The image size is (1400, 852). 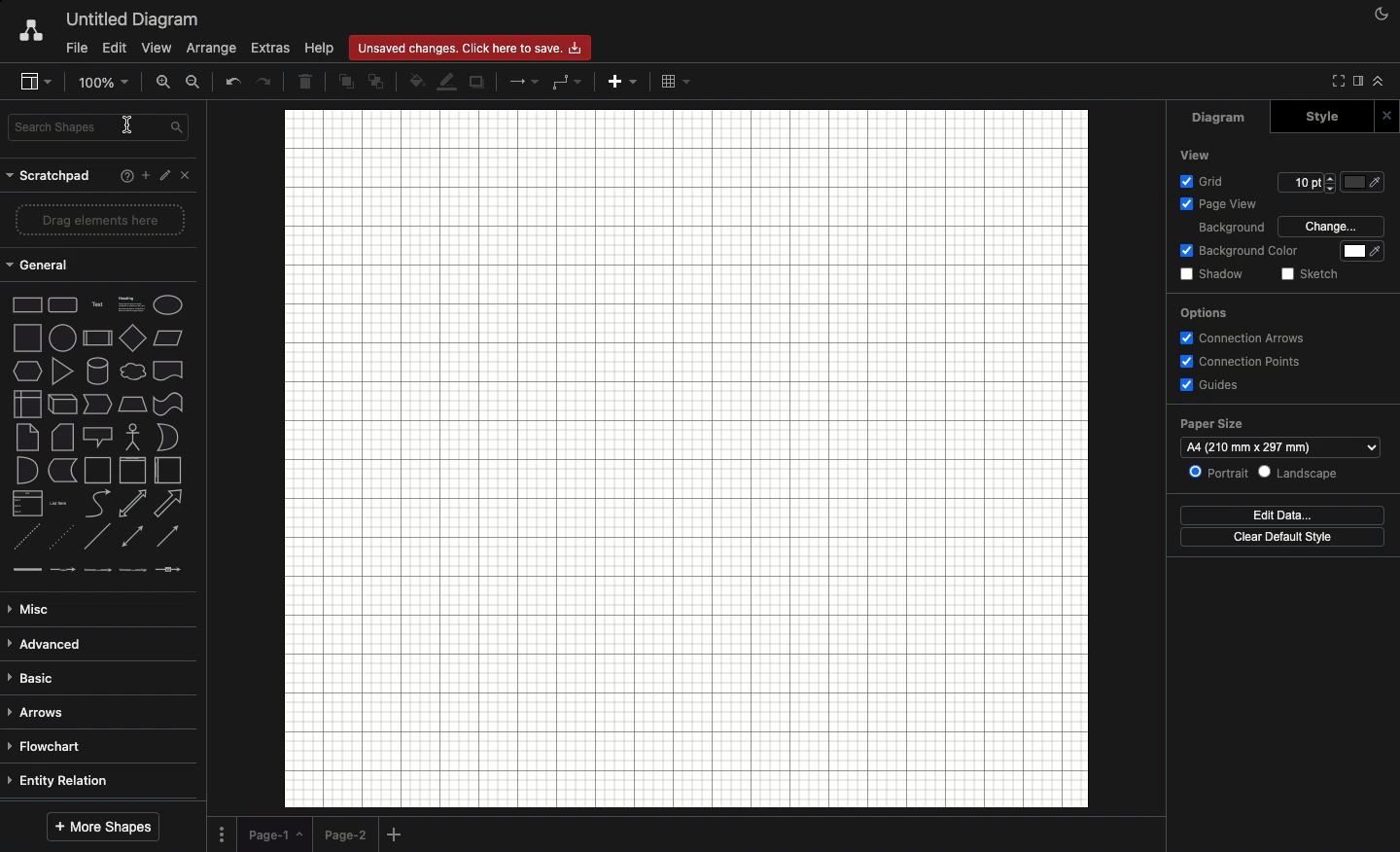 What do you see at coordinates (478, 83) in the screenshot?
I see `Duplicate` at bounding box center [478, 83].